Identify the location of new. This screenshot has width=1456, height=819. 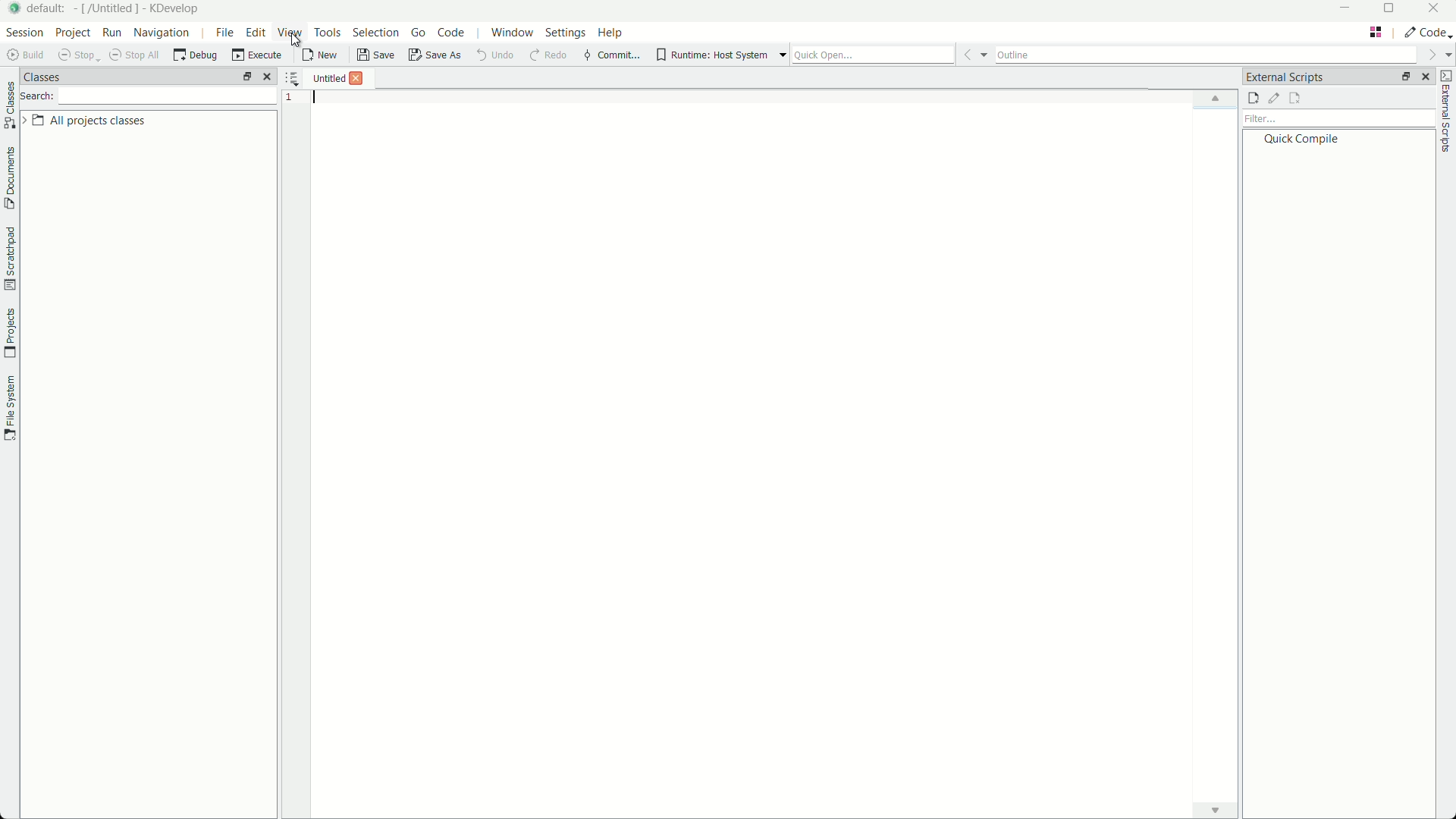
(319, 57).